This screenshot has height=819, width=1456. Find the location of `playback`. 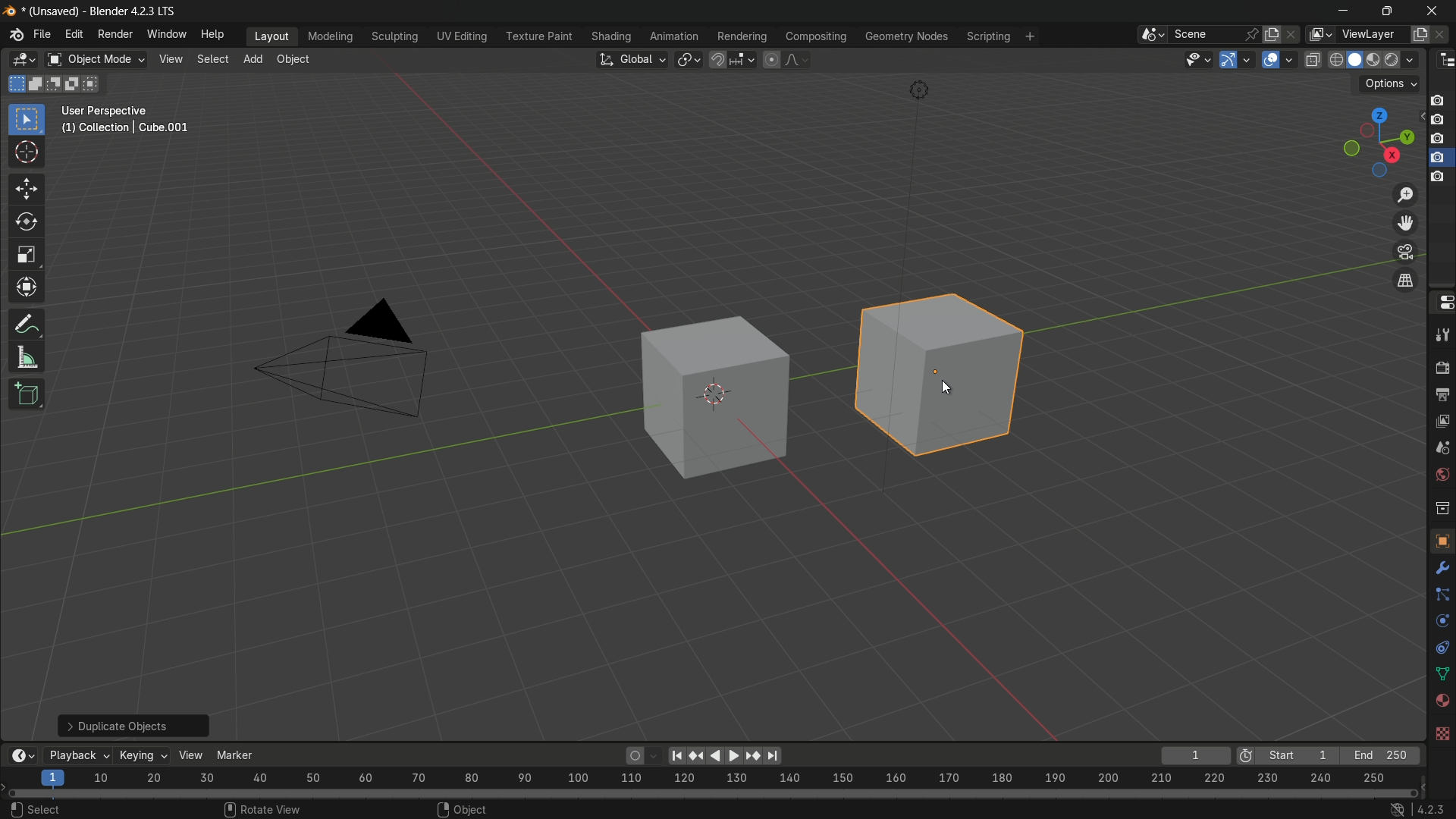

playback is located at coordinates (79, 755).